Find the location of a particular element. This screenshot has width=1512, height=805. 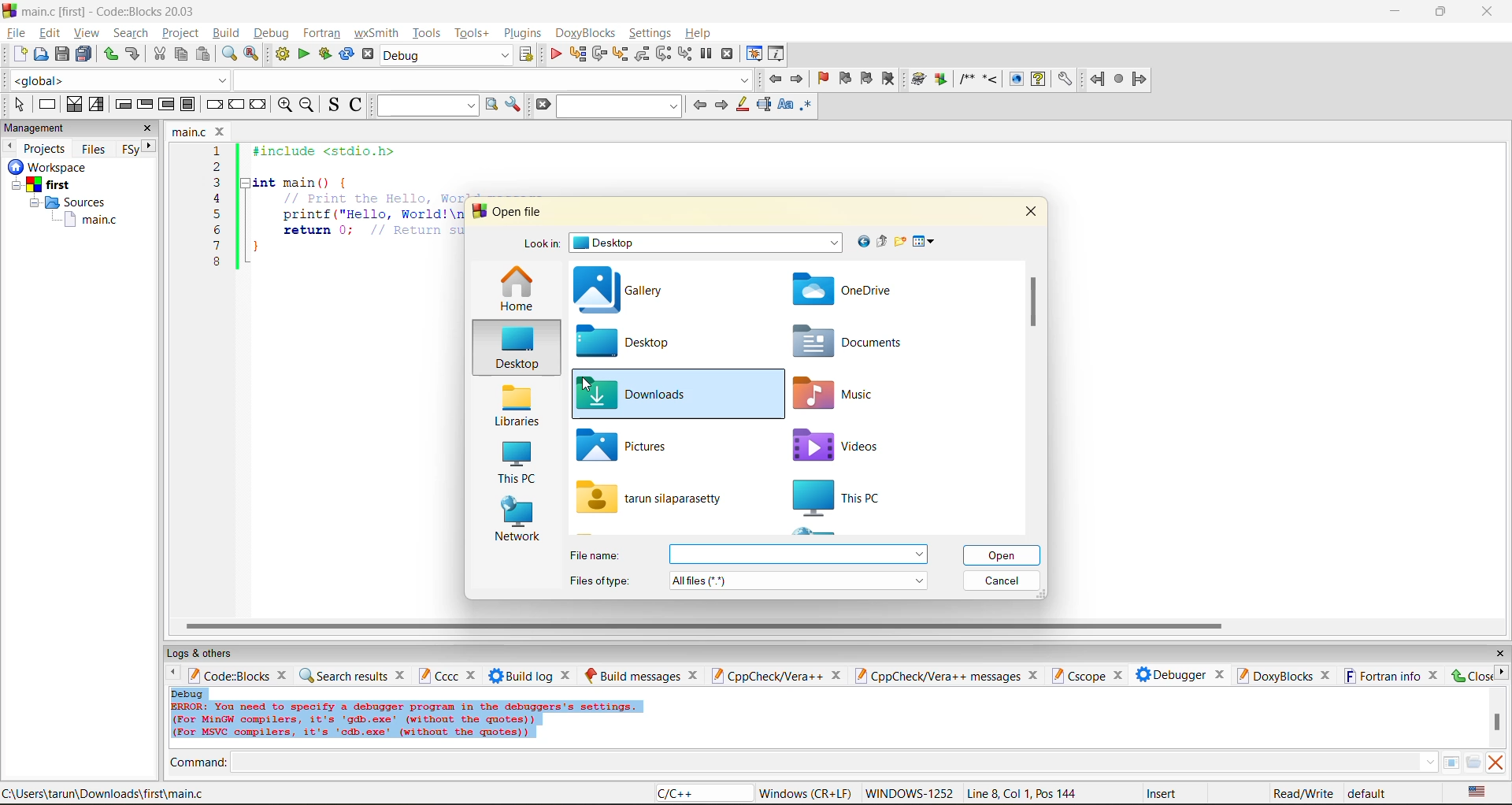

7 is located at coordinates (217, 246).